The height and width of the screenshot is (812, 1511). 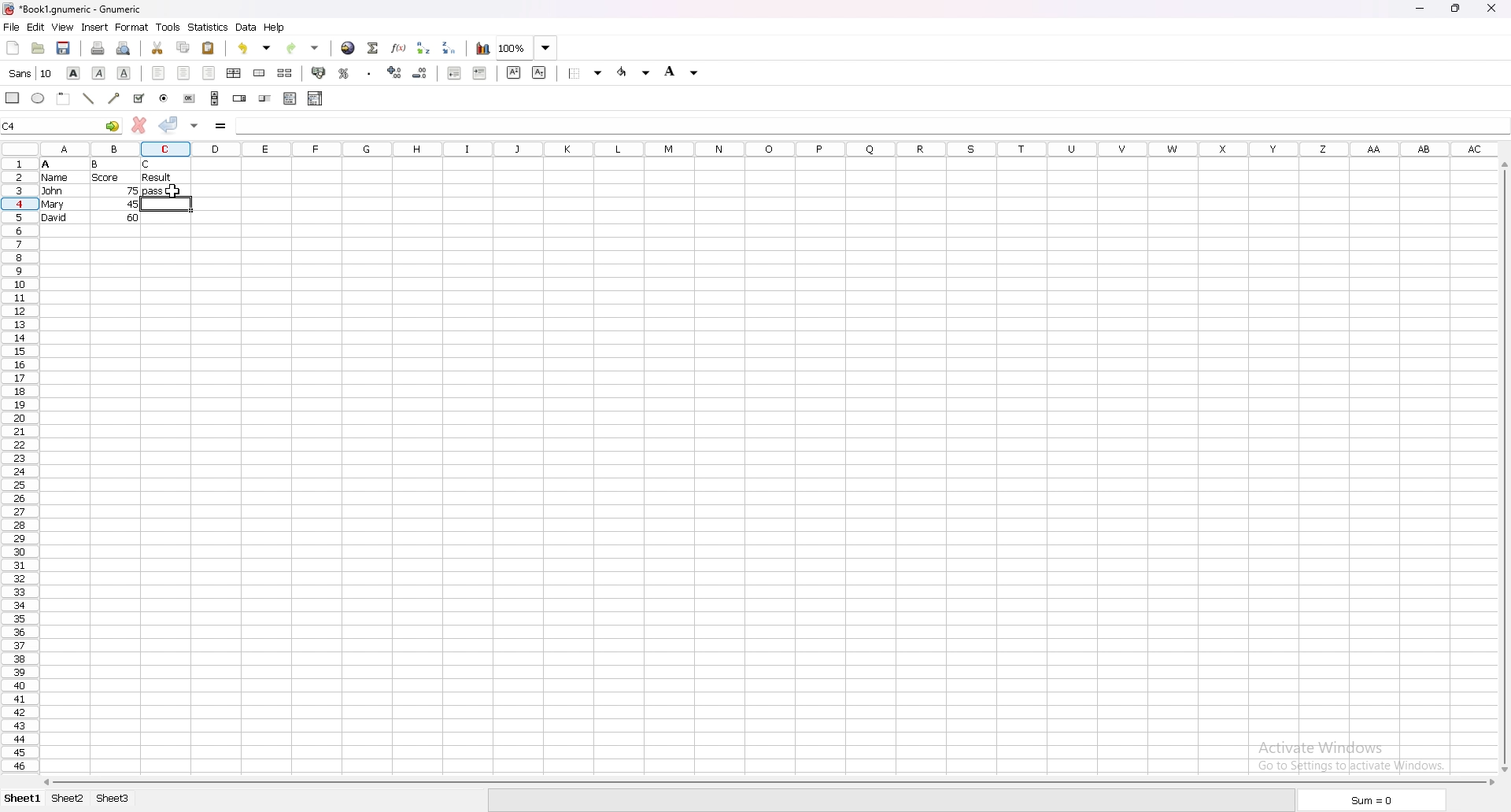 What do you see at coordinates (94, 28) in the screenshot?
I see `insert` at bounding box center [94, 28].